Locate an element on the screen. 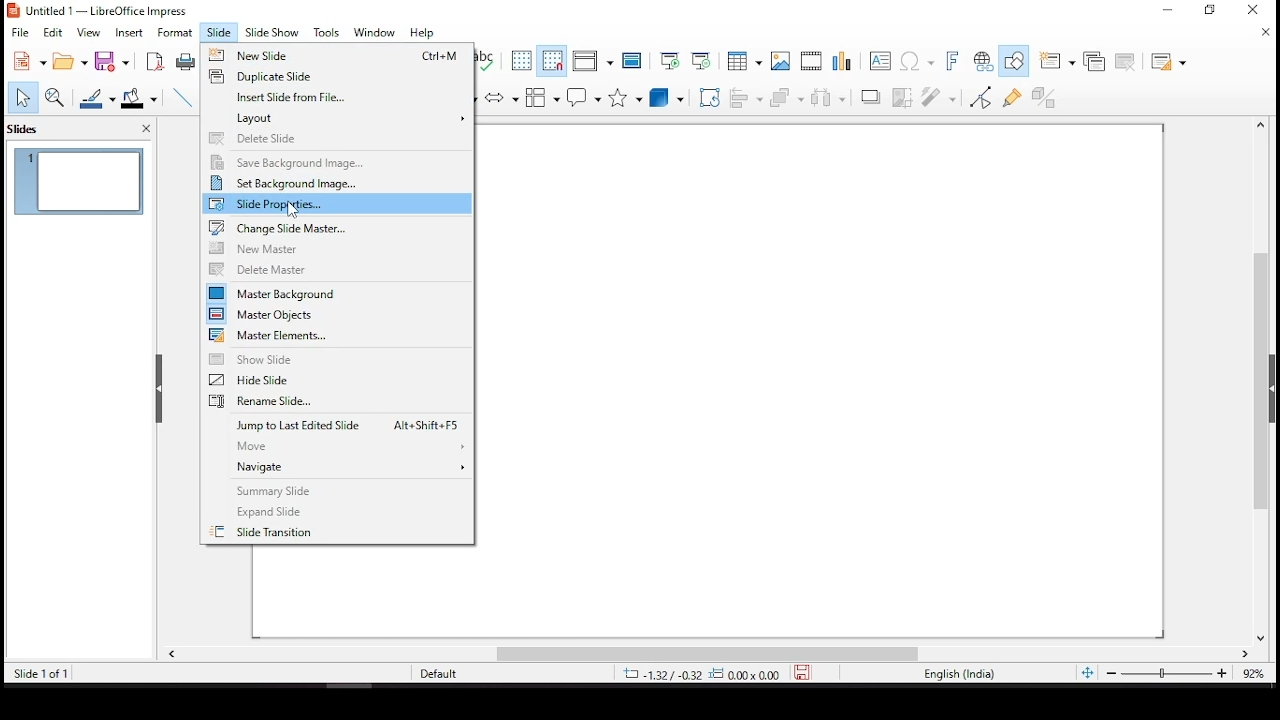 This screenshot has height=720, width=1280. slide is located at coordinates (220, 32).